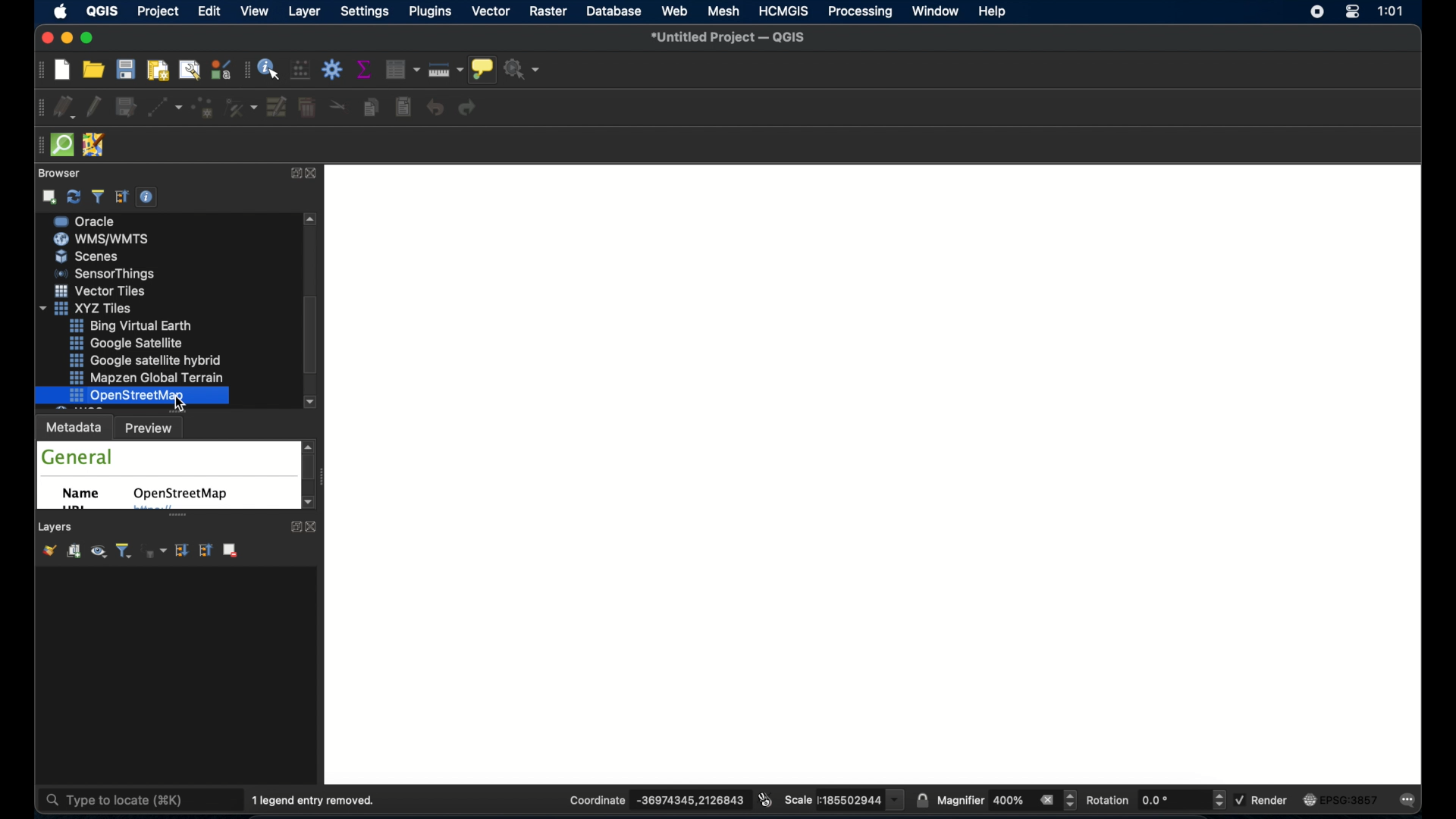 The height and width of the screenshot is (819, 1456). Describe the element at coordinates (1315, 11) in the screenshot. I see `screen recorder` at that location.